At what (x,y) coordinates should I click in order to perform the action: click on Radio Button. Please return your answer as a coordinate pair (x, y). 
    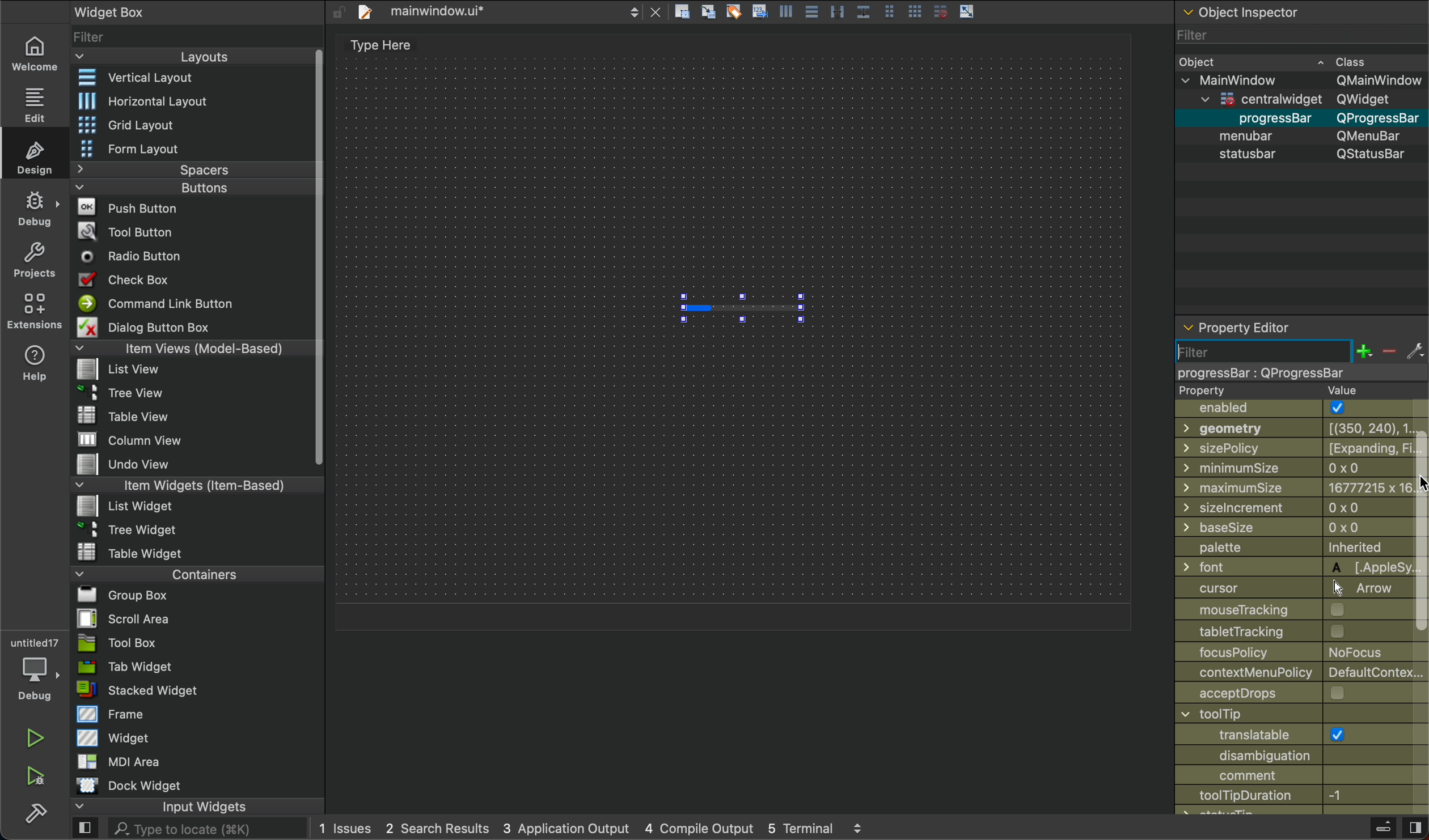
    Looking at the image, I should click on (136, 256).